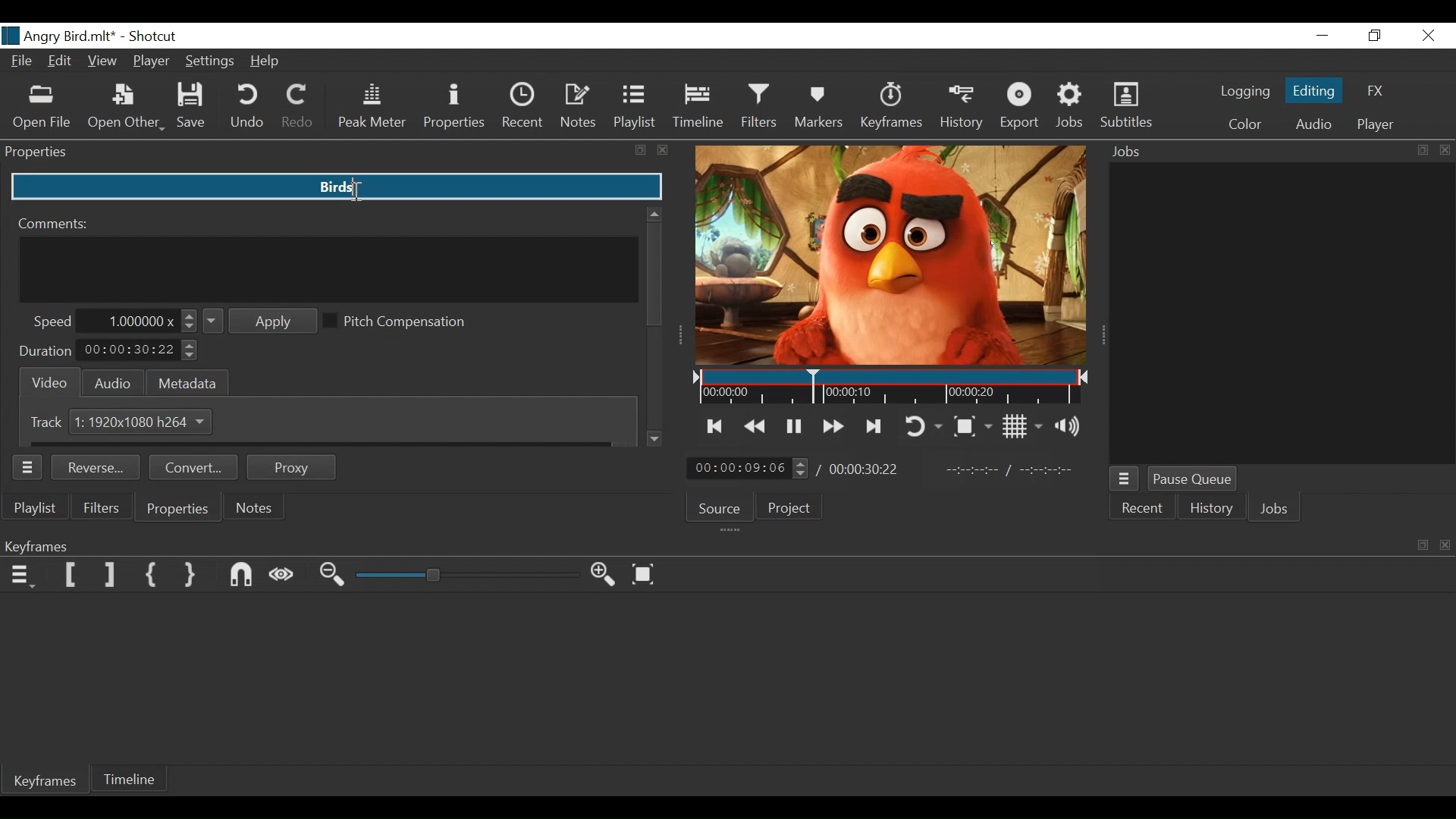 Image resolution: width=1456 pixels, height=819 pixels. I want to click on Recent, so click(524, 106).